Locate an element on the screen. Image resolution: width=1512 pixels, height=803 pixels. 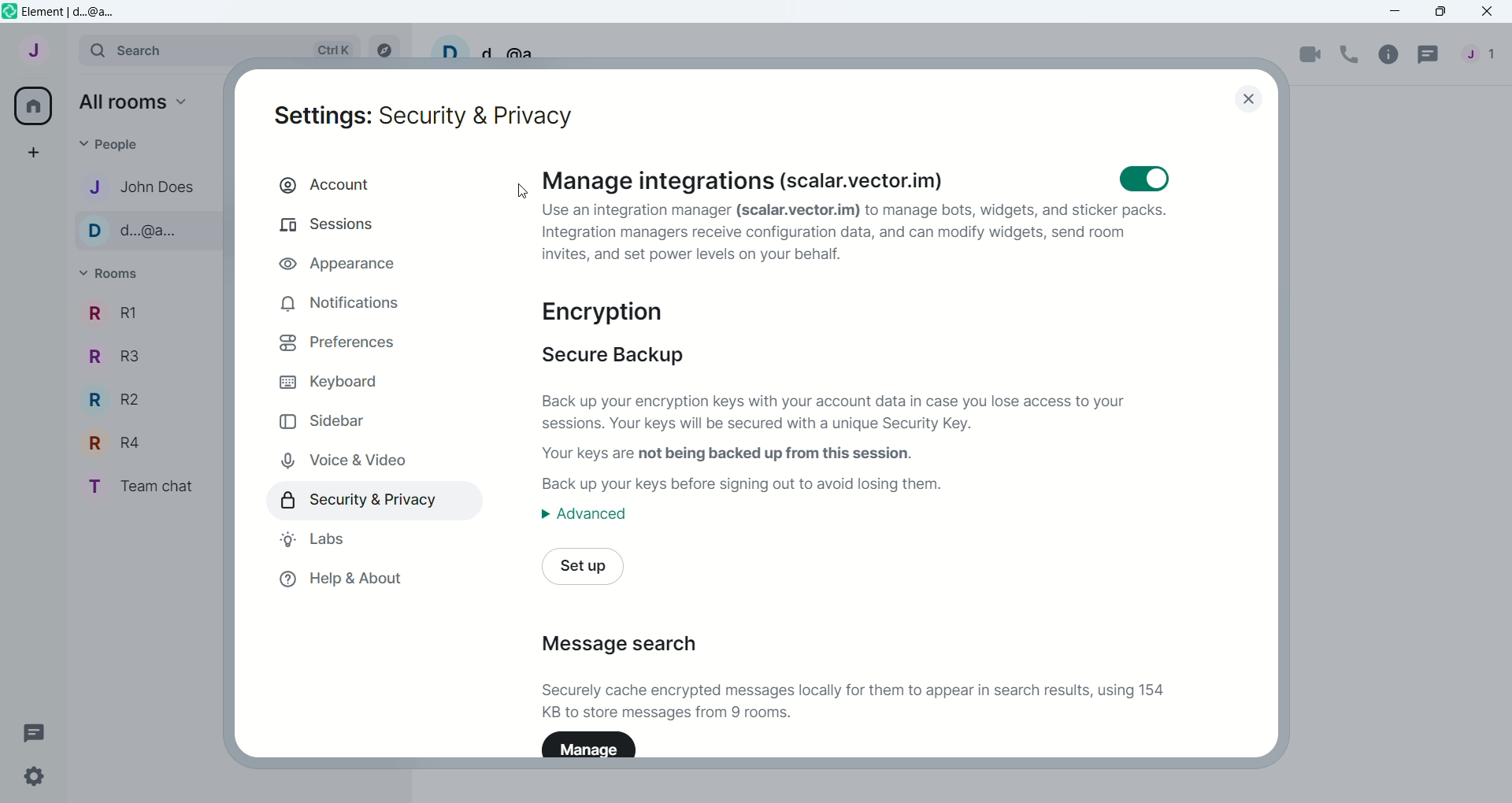
R R3 is located at coordinates (116, 358).